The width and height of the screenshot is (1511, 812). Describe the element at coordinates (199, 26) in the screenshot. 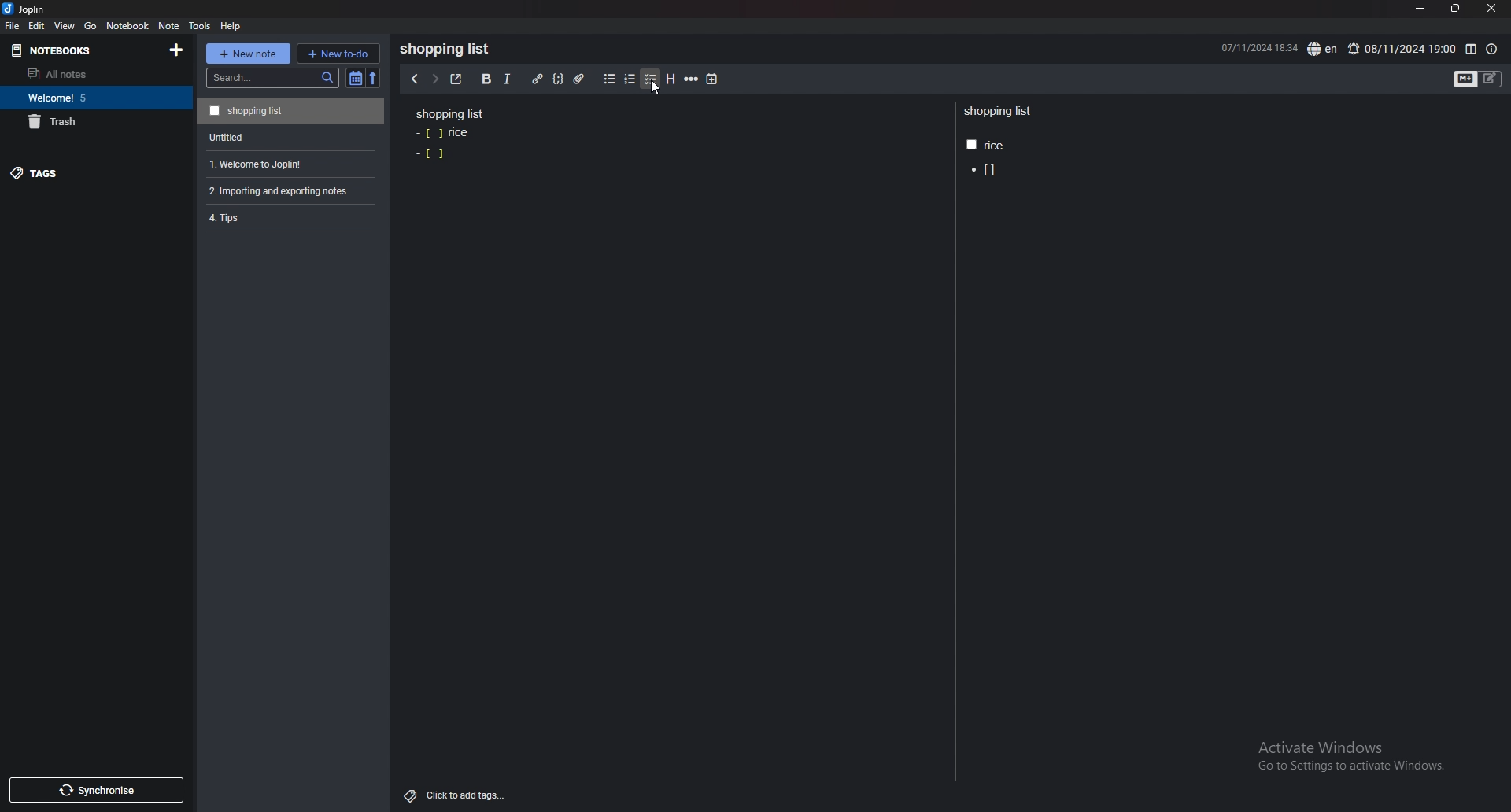

I see `tools` at that location.